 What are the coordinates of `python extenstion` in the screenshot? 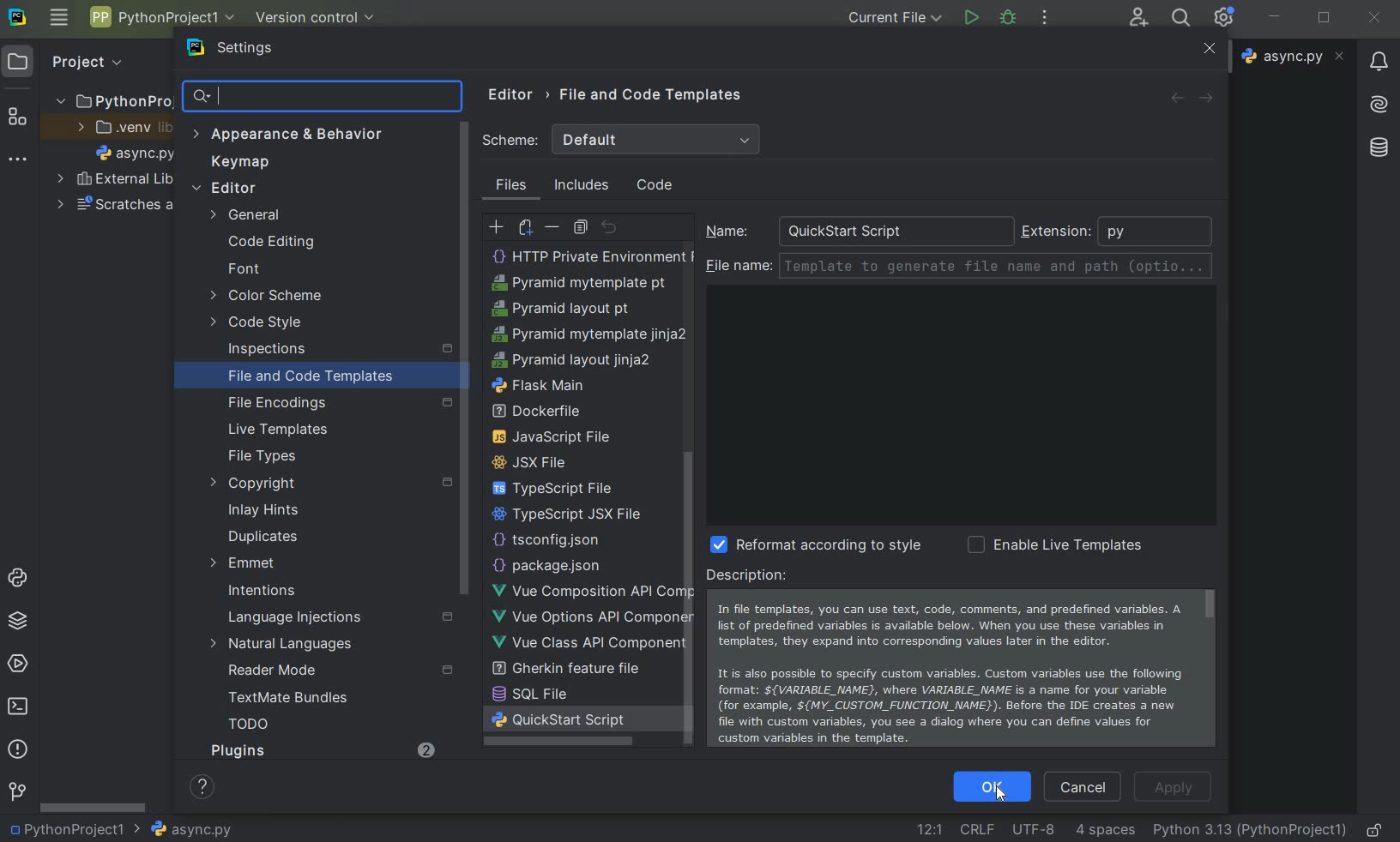 It's located at (1154, 231).